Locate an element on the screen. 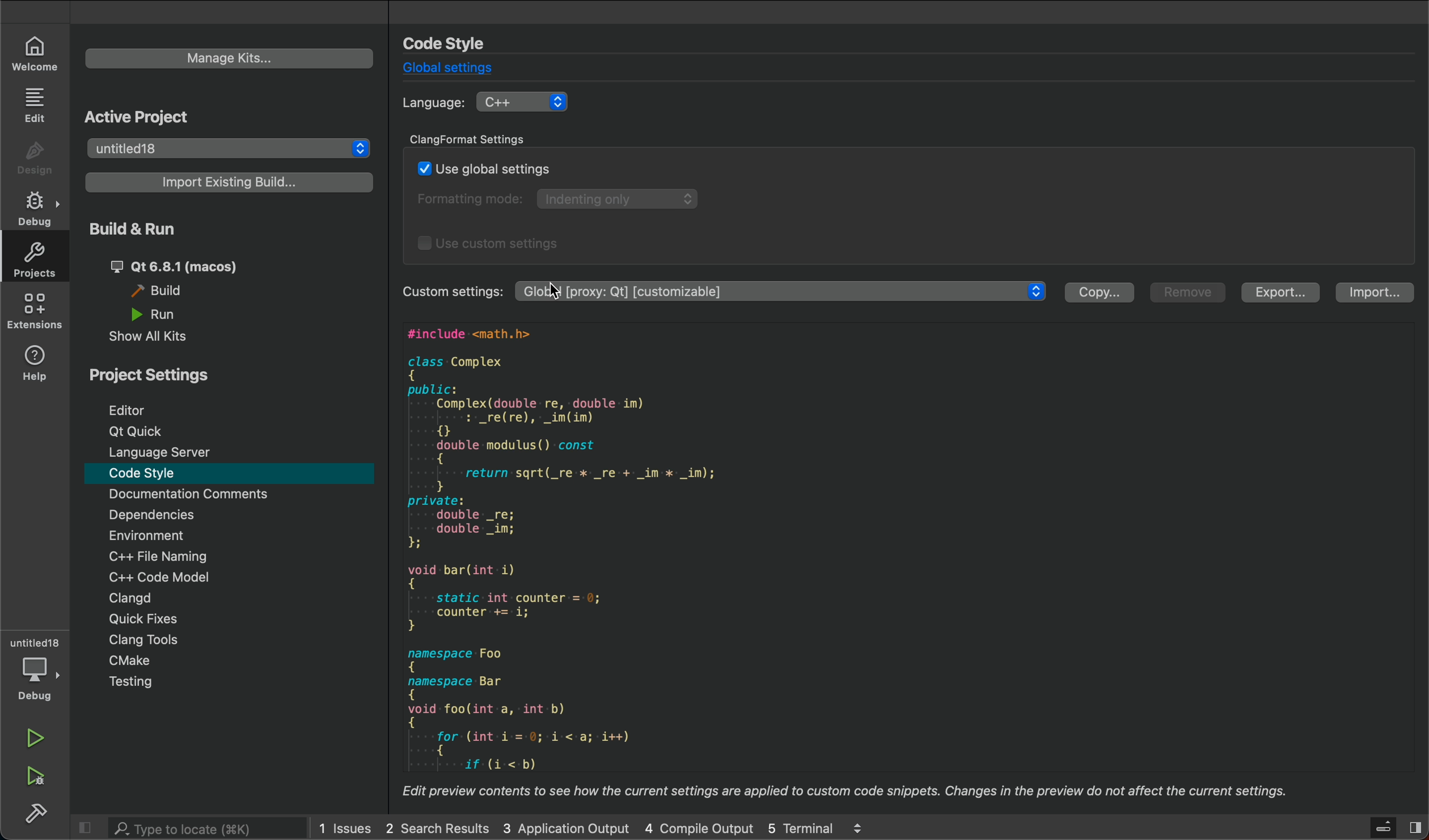 The width and height of the screenshot is (1429, 840). #include <math.h>
class Complex
{
public:
Complex(double re, double im)
: _re(re), _im(im)
{
double modulus() const
{
return sqrt(_re x _re + _im x _im);
}
private:
double _re;
double _im;
iH
void bar(int i)
{
static int counter = 0;
counter += i;
}
namespace Foo
{
namespace Bar
{
void foo(int a, int b)
{
for: (int i-=-0;-i-<-a; i++)
{
if: (i:-<:b) is located at coordinates (606, 546).